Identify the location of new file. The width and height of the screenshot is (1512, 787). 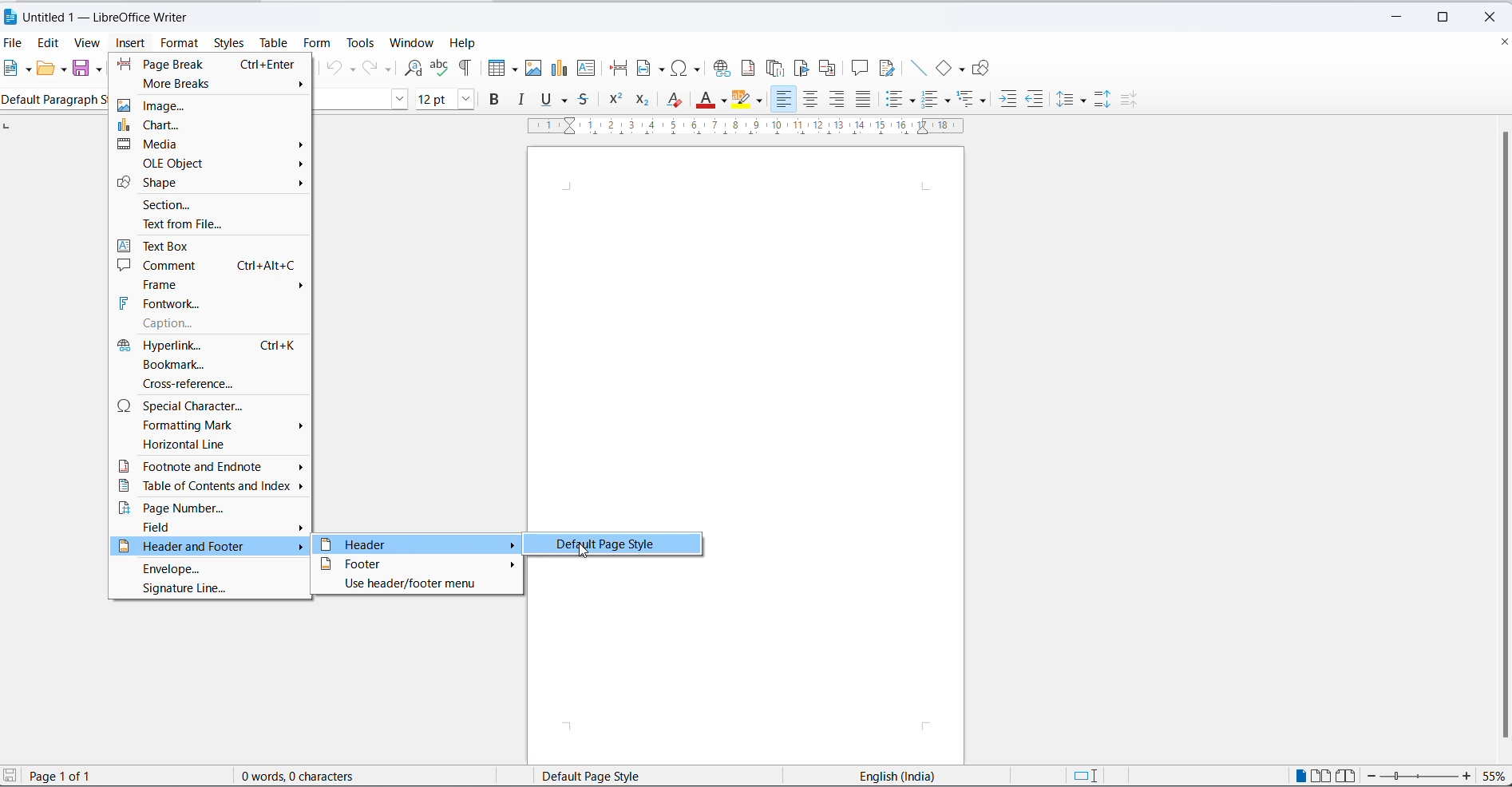
(10, 69).